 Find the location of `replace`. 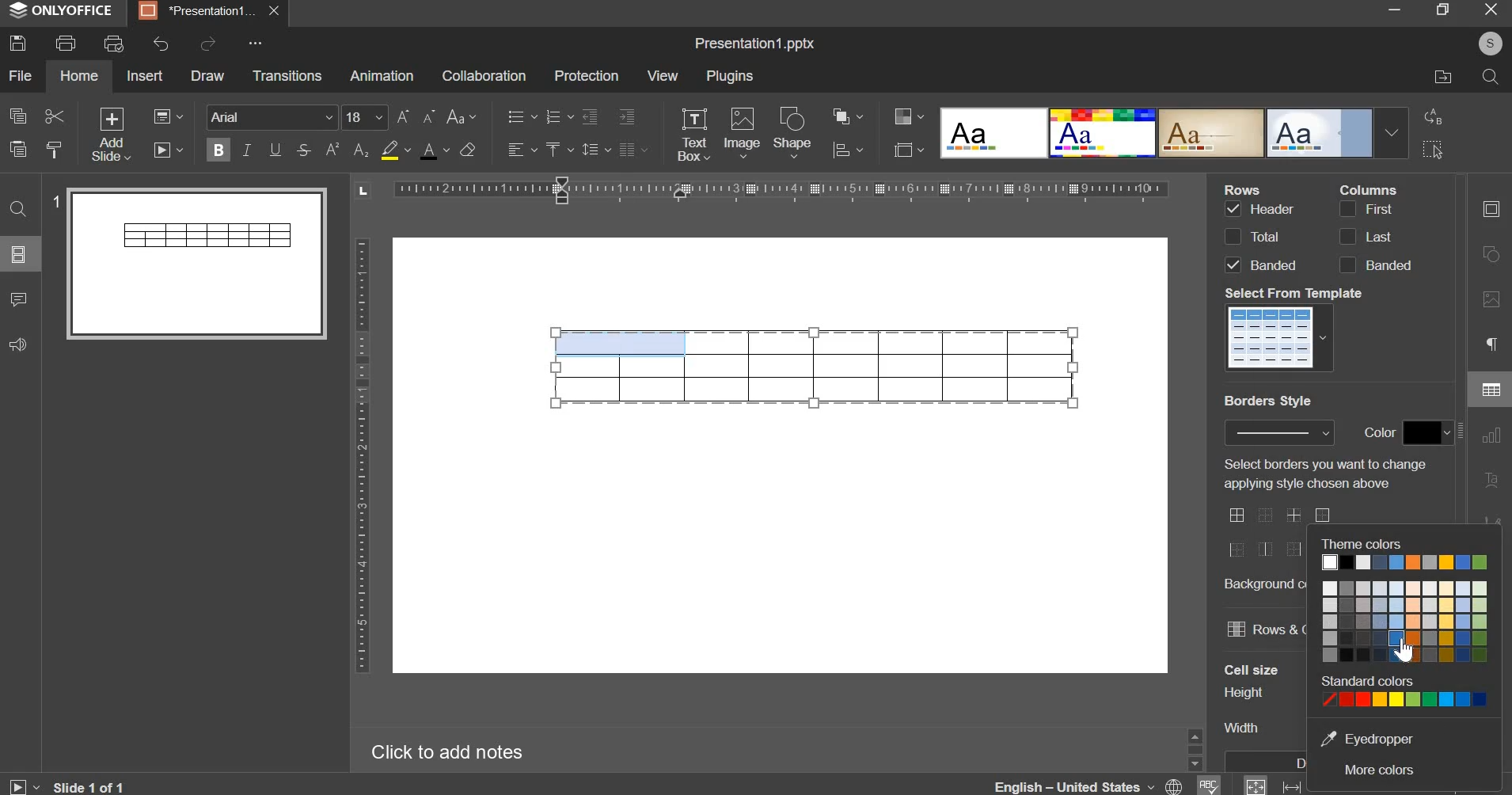

replace is located at coordinates (1430, 116).